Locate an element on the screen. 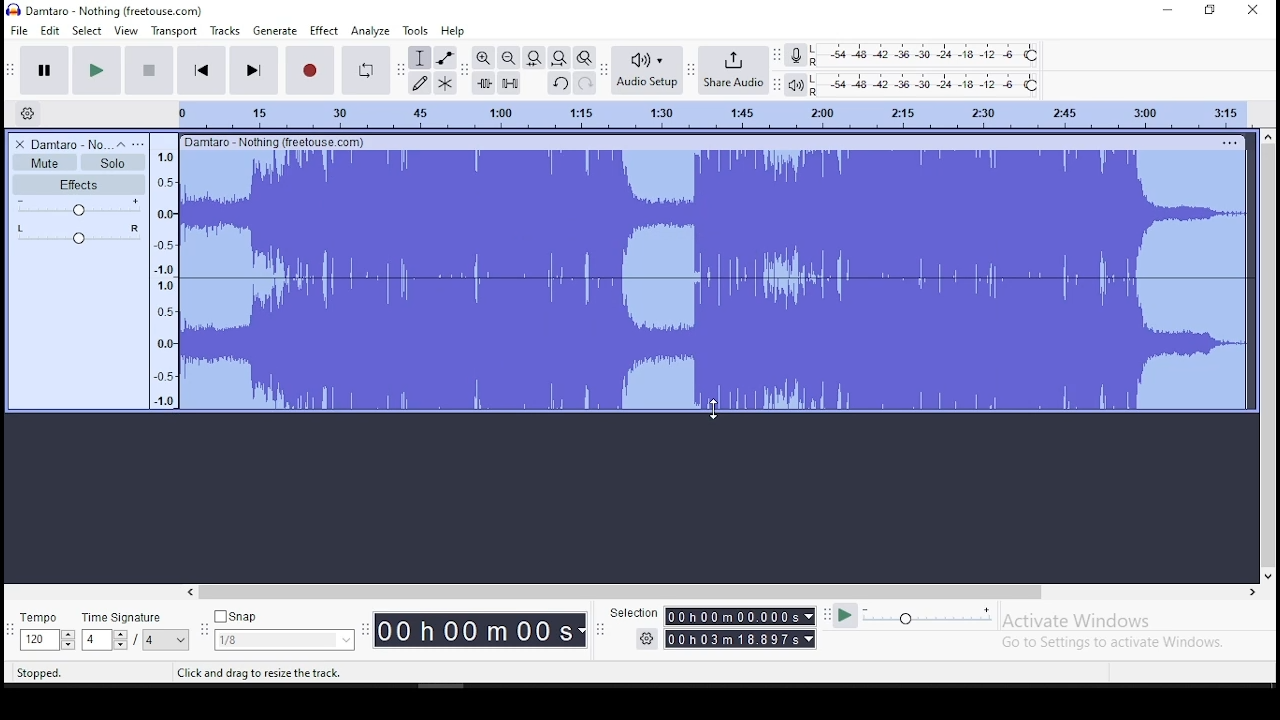 Image resolution: width=1280 pixels, height=720 pixels. undo is located at coordinates (561, 84).